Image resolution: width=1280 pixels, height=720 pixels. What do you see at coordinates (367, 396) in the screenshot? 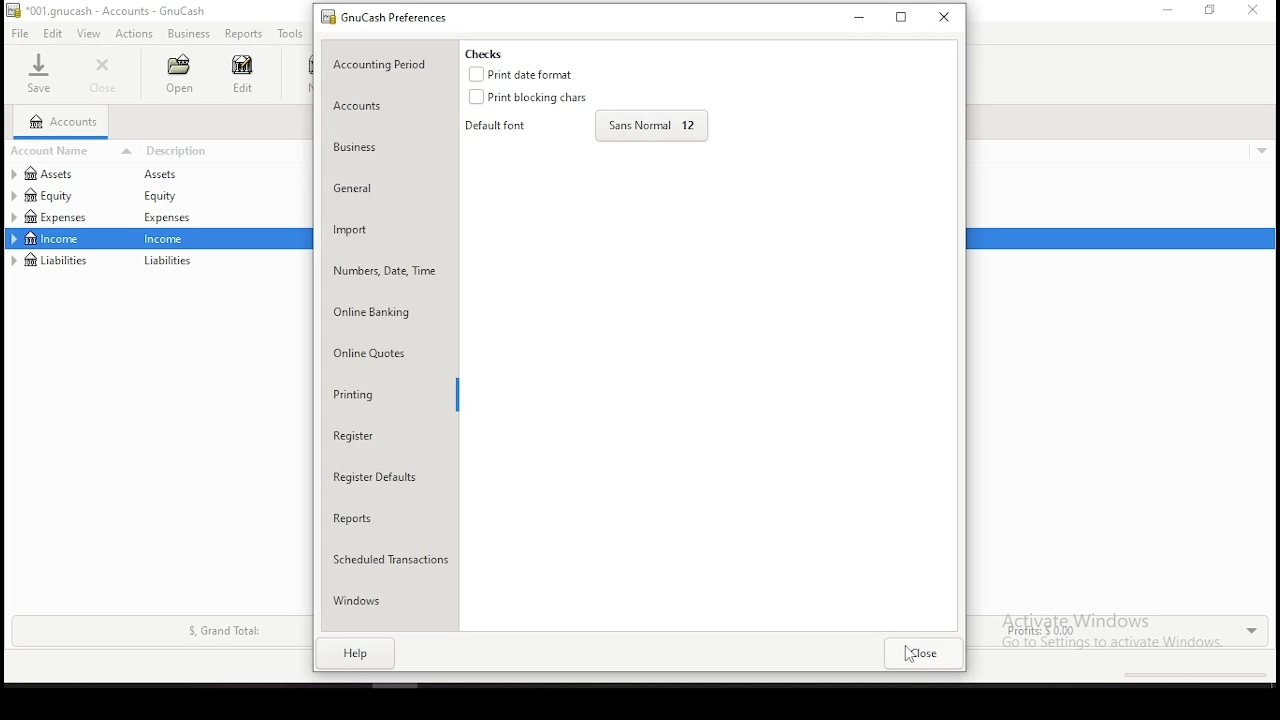
I see `printing` at bounding box center [367, 396].